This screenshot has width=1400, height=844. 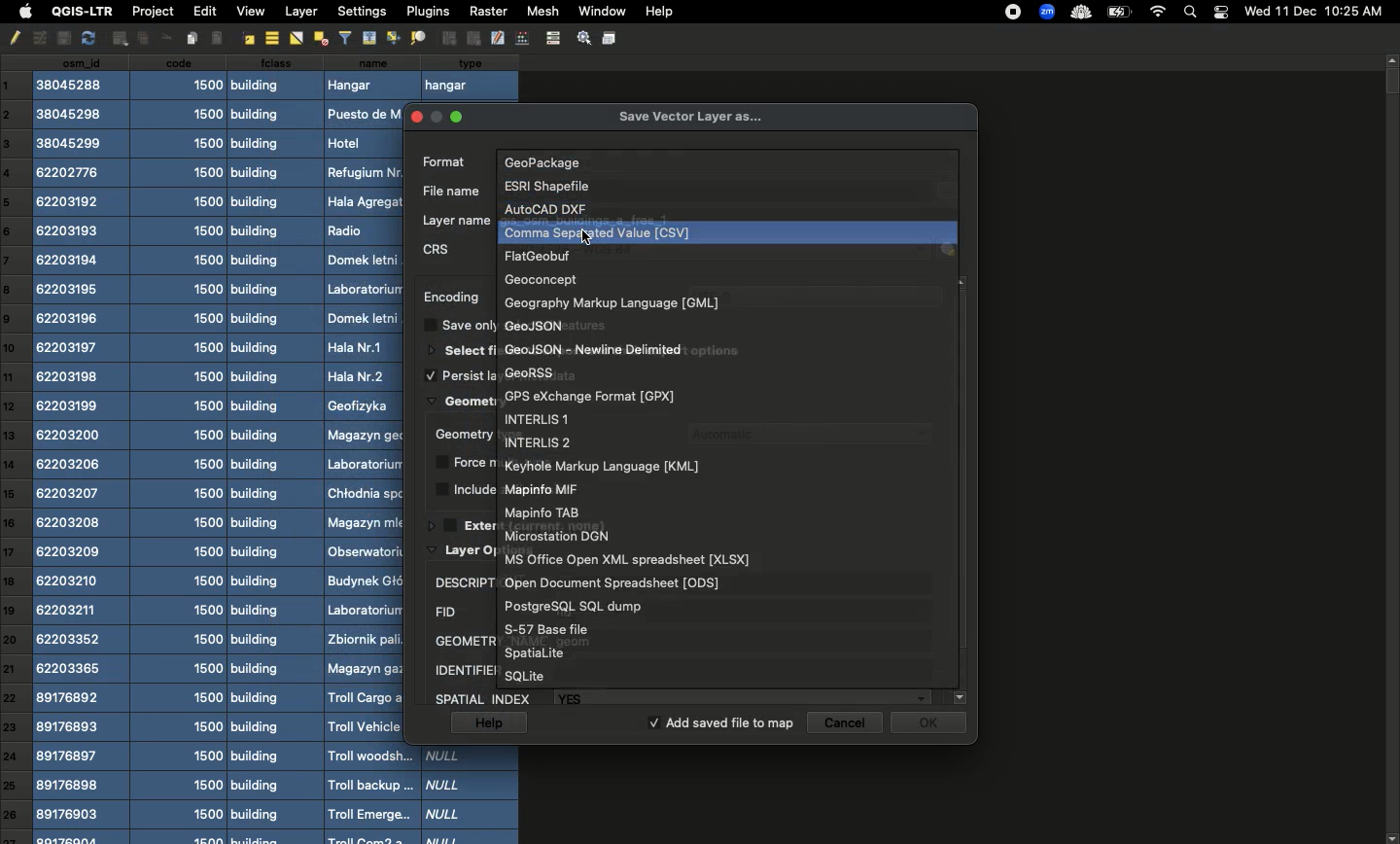 I want to click on Format, so click(x=545, y=207).